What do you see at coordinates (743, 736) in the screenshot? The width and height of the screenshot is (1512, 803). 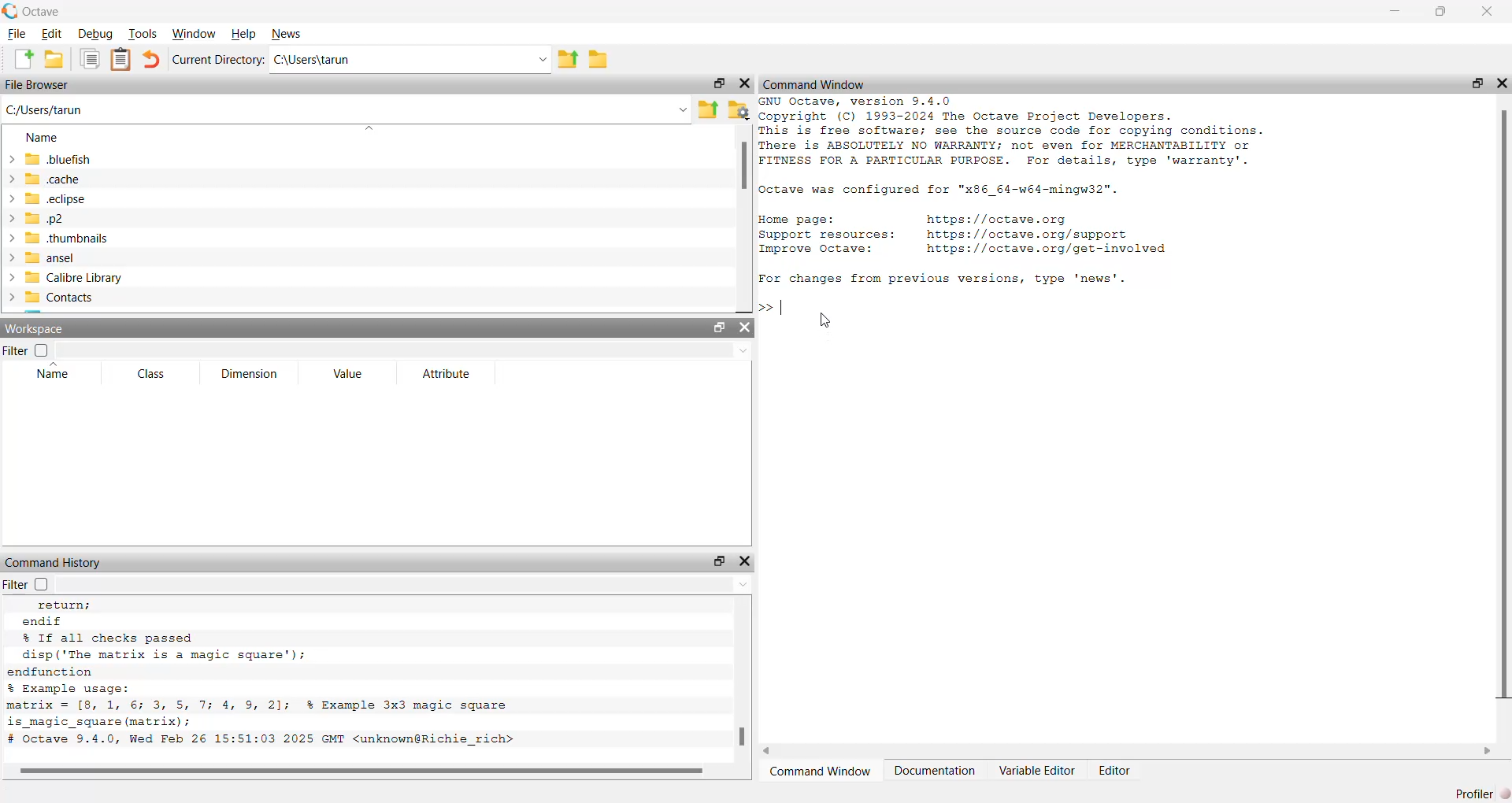 I see `scroll bar` at bounding box center [743, 736].